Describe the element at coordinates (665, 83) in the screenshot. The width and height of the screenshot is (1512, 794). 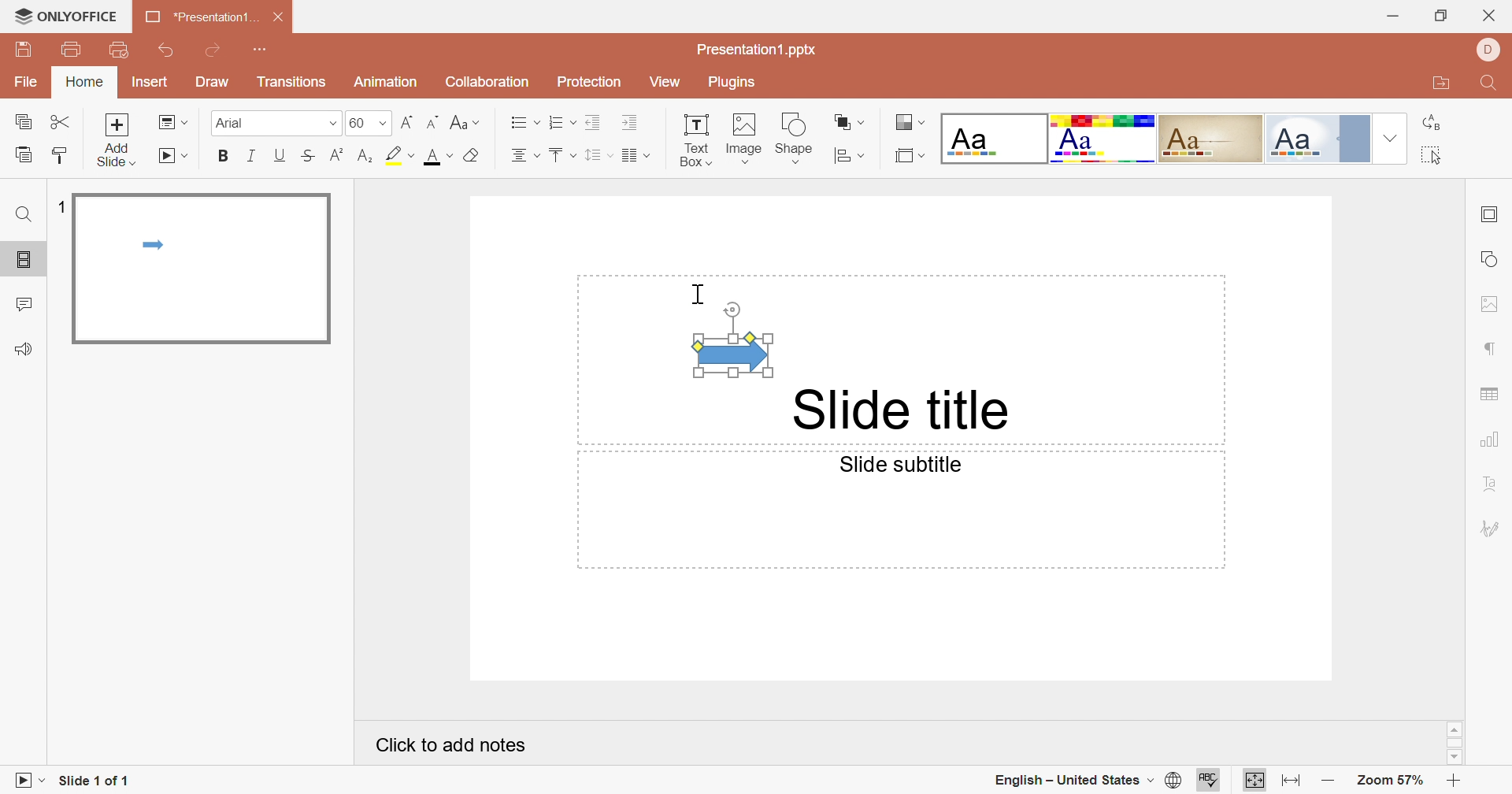
I see `View` at that location.